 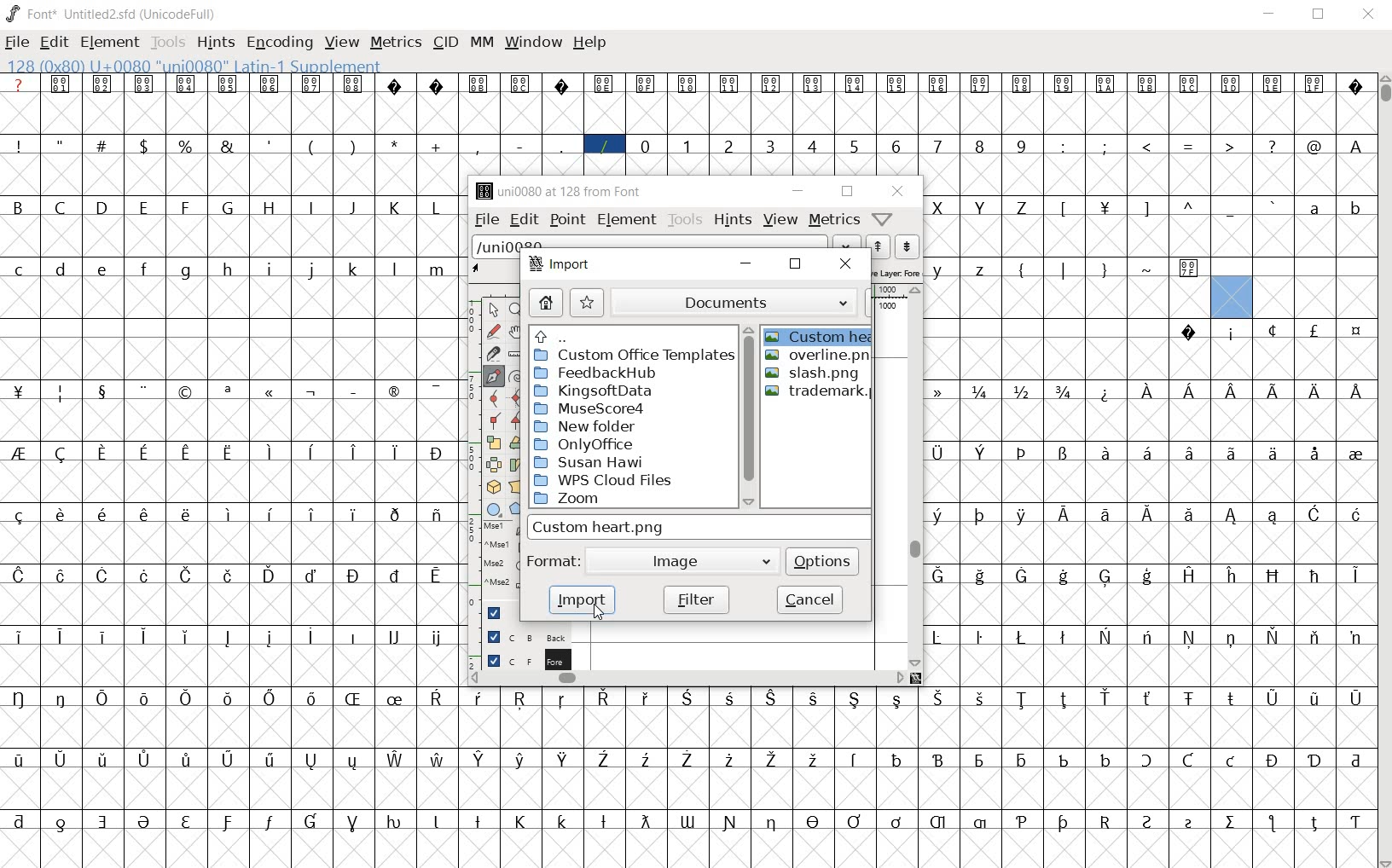 What do you see at coordinates (437, 86) in the screenshot?
I see `glyph` at bounding box center [437, 86].